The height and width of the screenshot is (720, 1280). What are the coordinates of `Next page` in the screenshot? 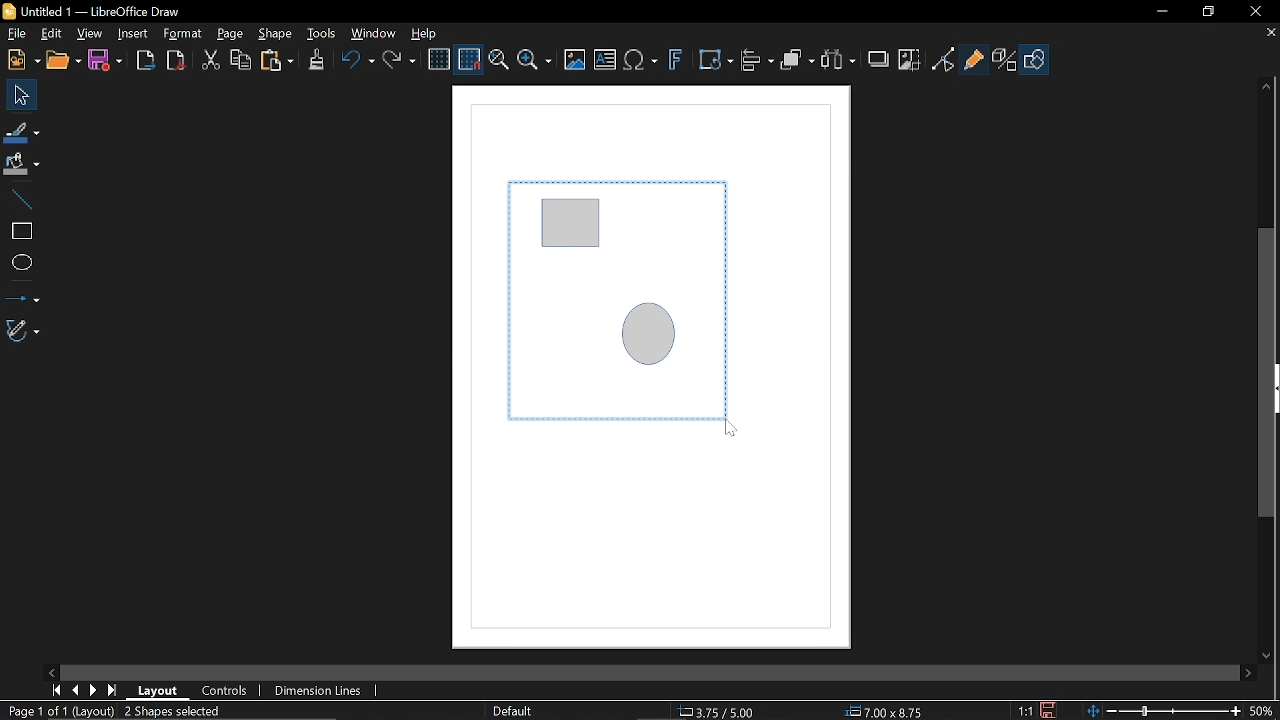 It's located at (96, 691).